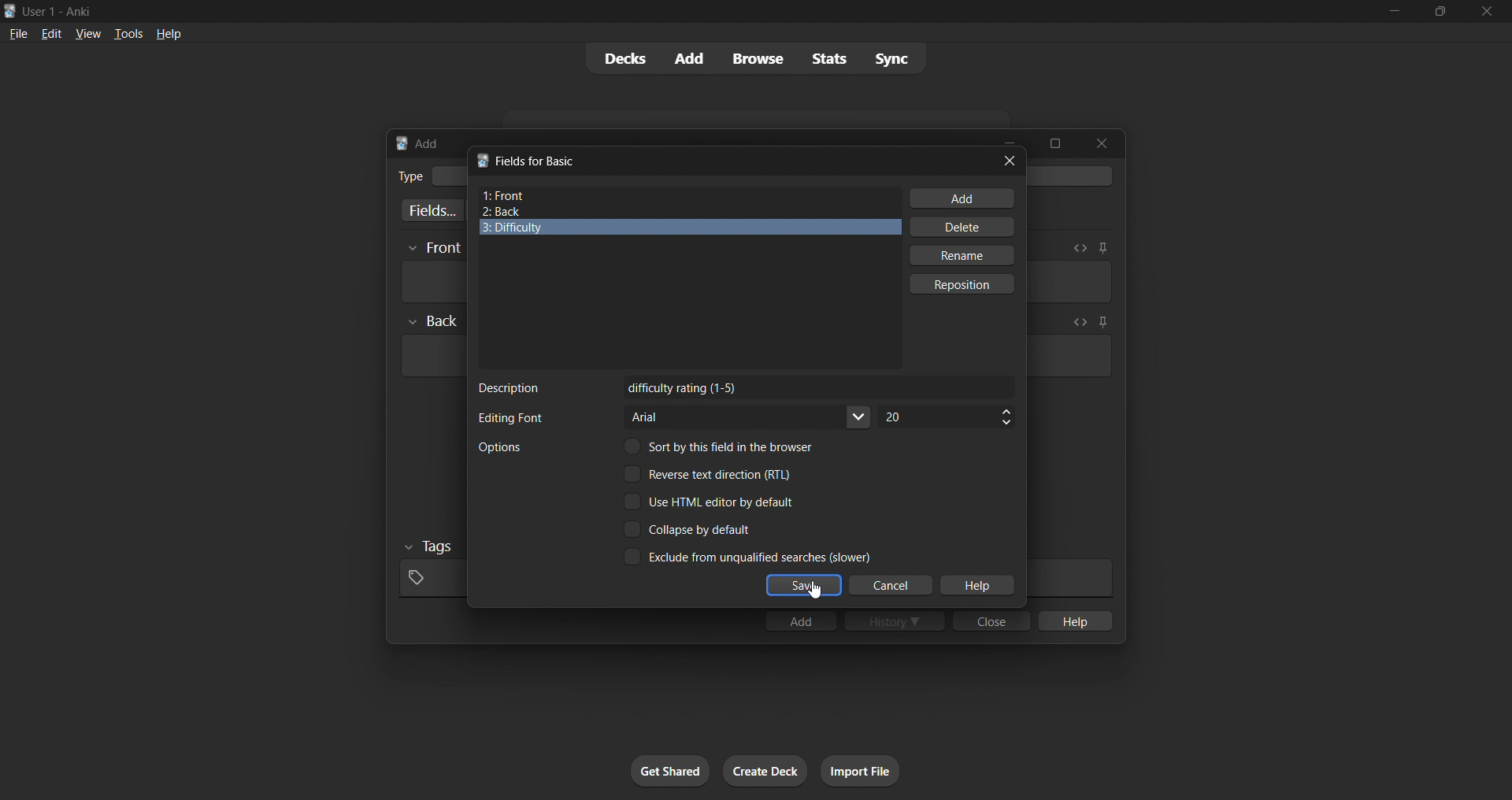 The width and height of the screenshot is (1512, 800). Describe the element at coordinates (860, 771) in the screenshot. I see `import file` at that location.